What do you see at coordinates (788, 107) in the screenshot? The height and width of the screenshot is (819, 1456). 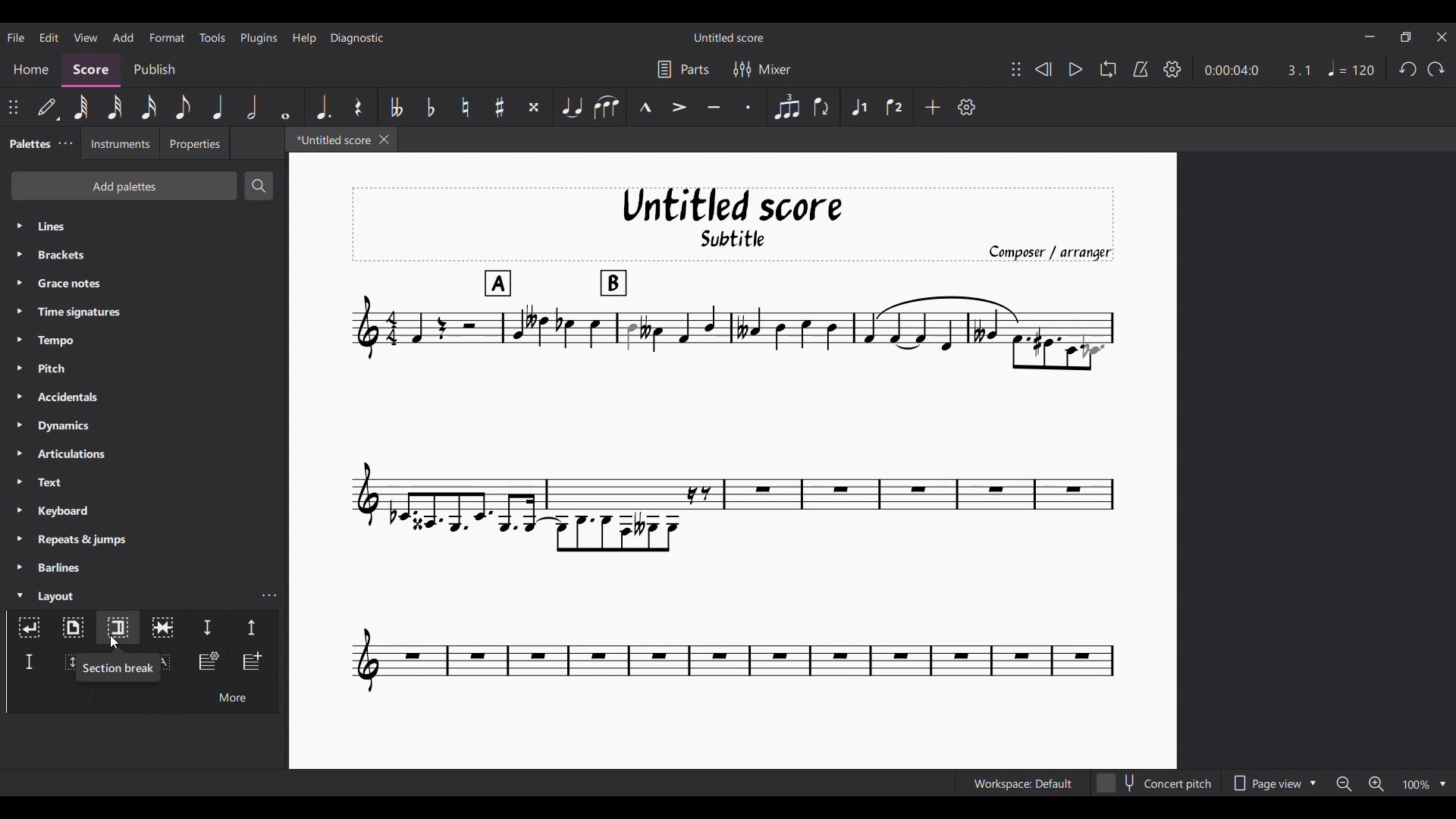 I see `Tuplet` at bounding box center [788, 107].